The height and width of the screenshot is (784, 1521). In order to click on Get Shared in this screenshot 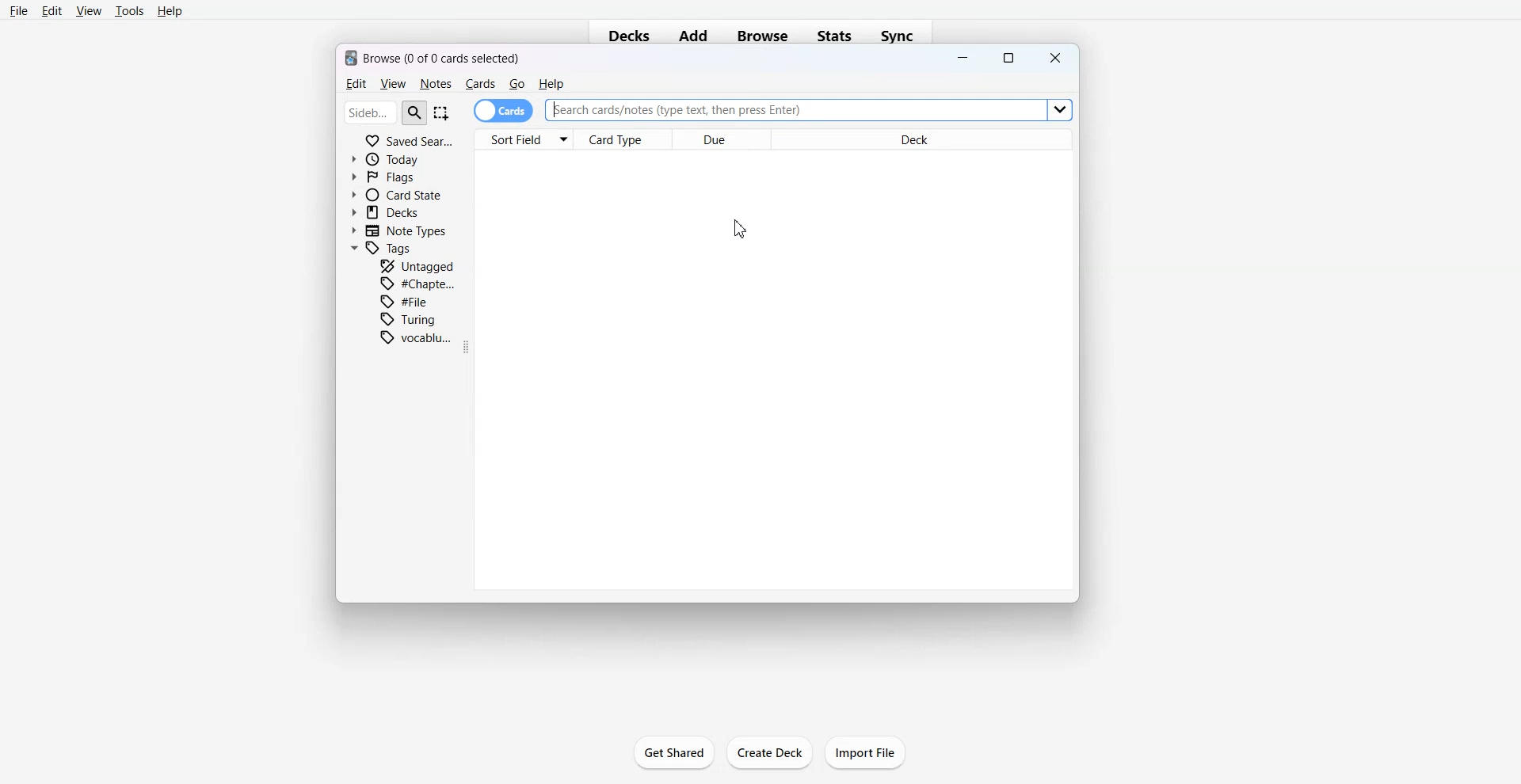, I will do `click(673, 752)`.